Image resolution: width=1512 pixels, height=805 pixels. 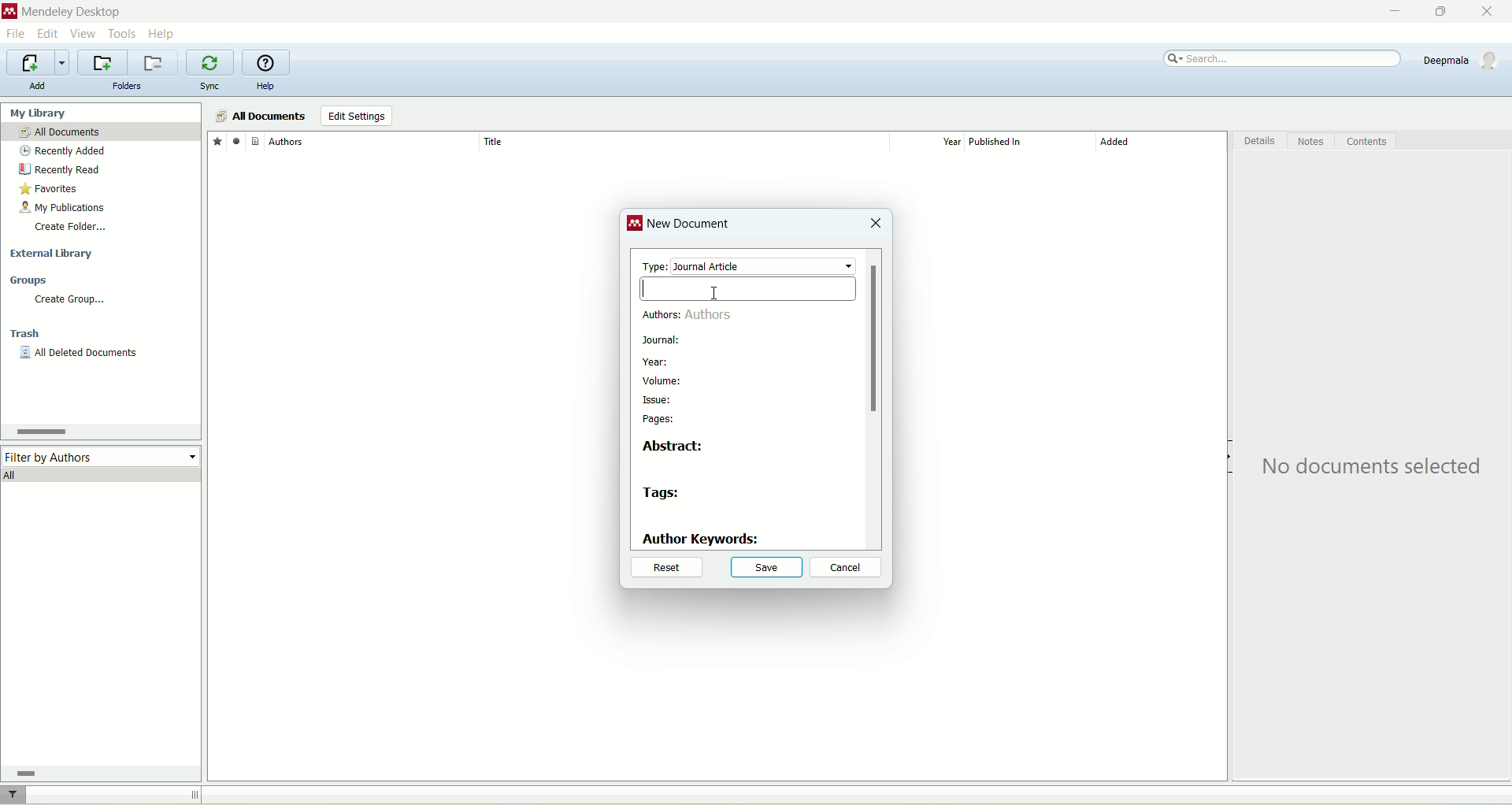 I want to click on create group, so click(x=69, y=299).